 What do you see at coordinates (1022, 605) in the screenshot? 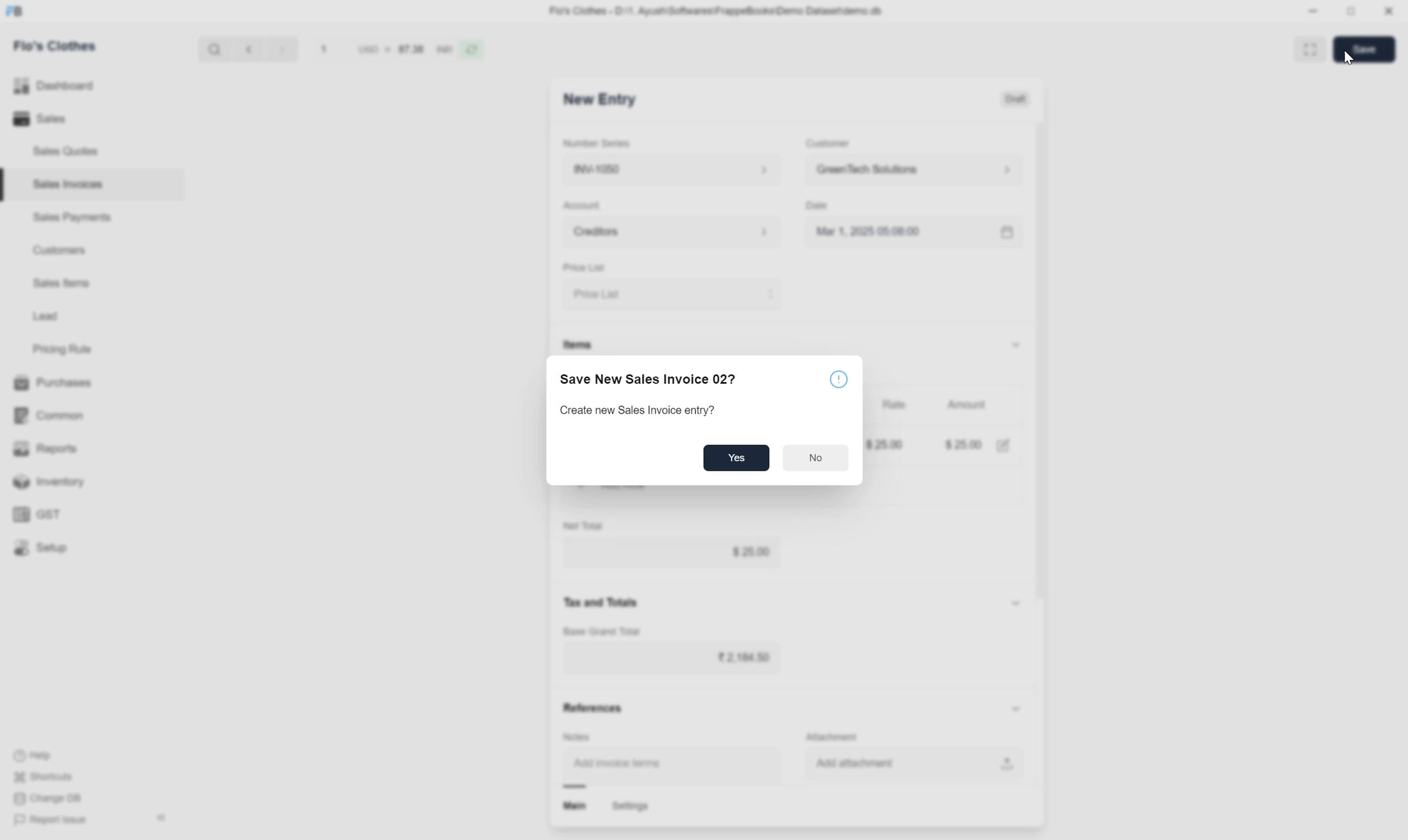
I see `show or hide tax totals ` at bounding box center [1022, 605].